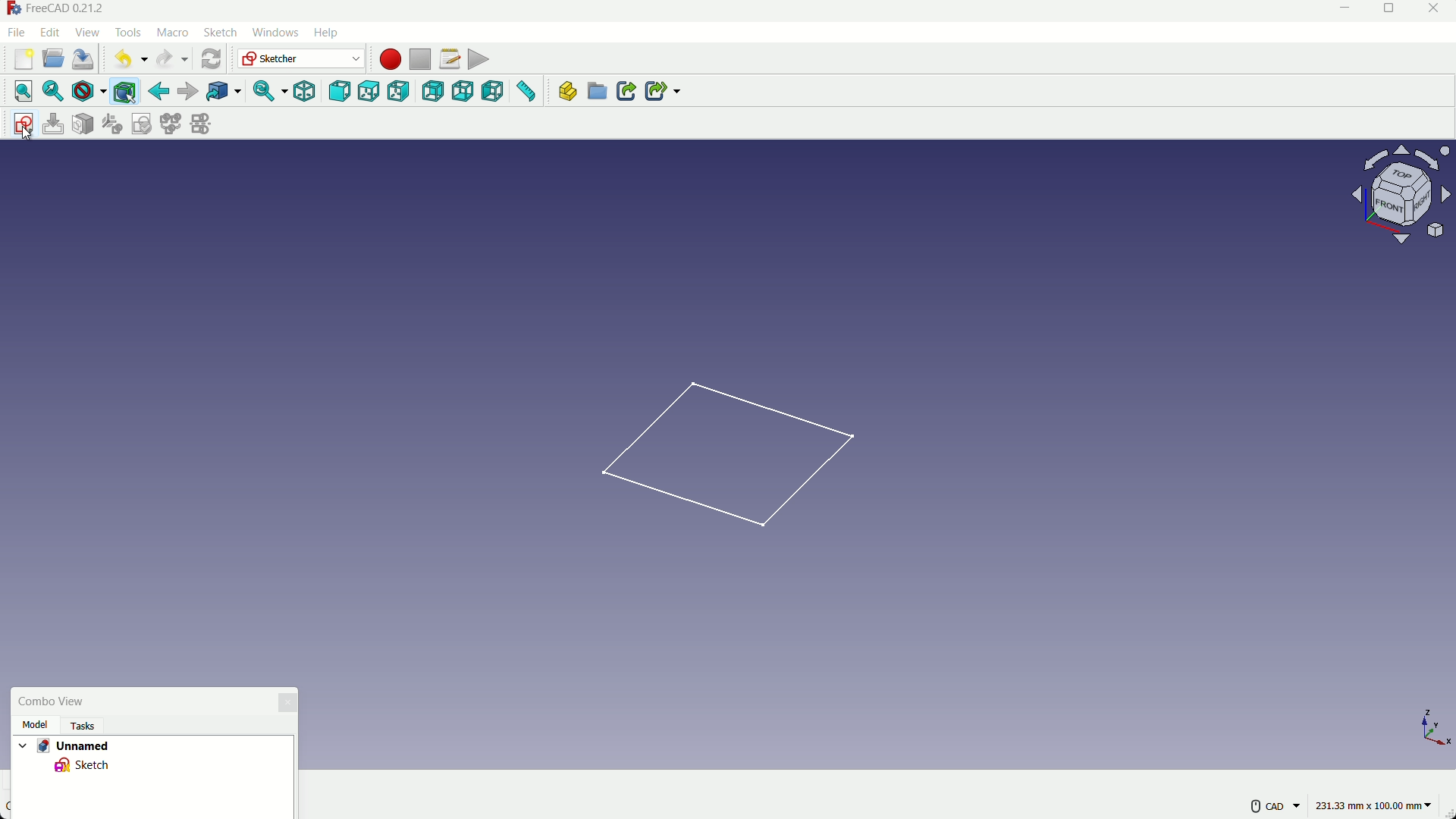  Describe the element at coordinates (338, 93) in the screenshot. I see `front view` at that location.